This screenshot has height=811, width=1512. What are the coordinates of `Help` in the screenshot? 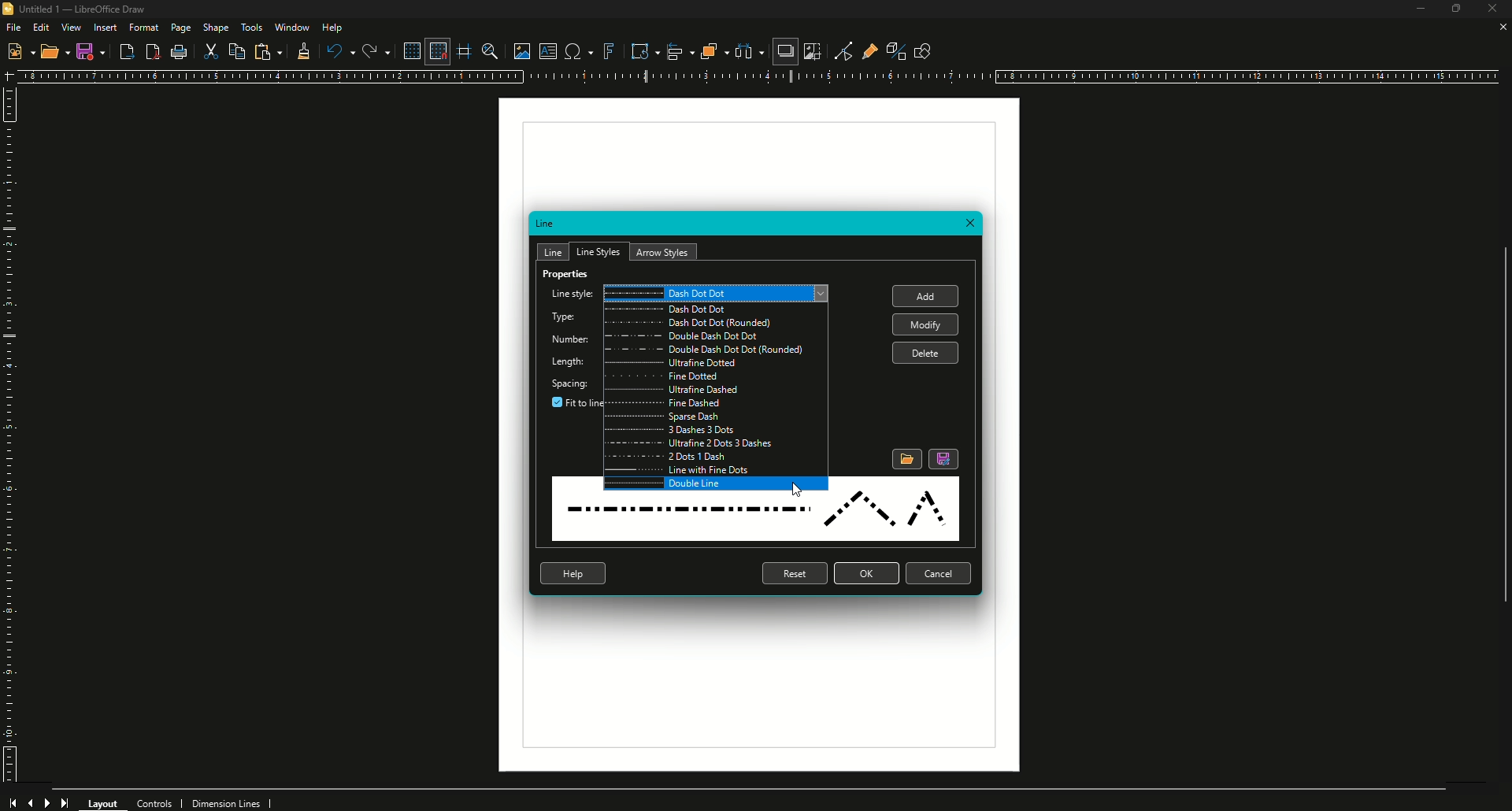 It's located at (573, 573).